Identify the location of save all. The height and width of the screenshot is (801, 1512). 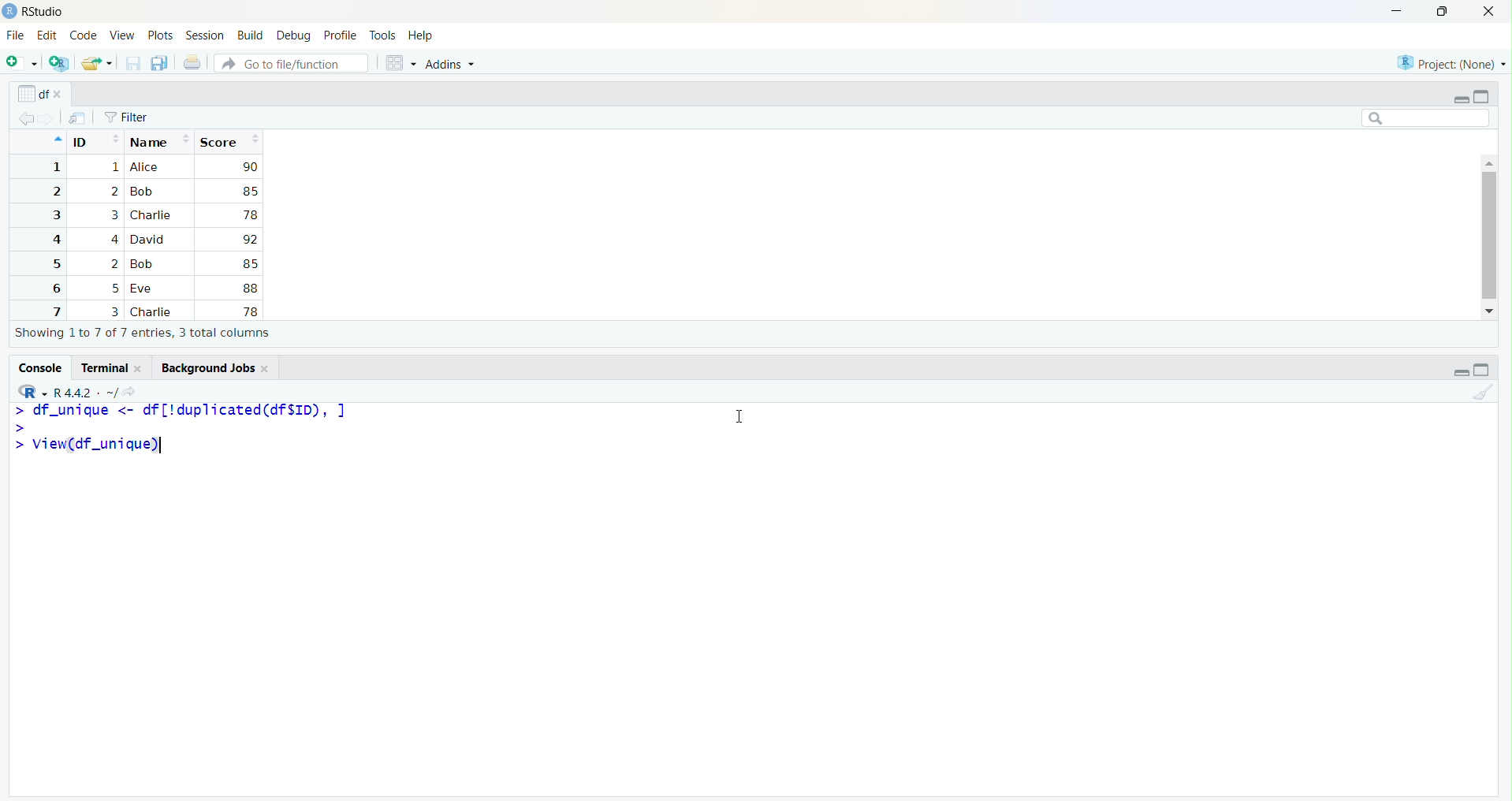
(161, 64).